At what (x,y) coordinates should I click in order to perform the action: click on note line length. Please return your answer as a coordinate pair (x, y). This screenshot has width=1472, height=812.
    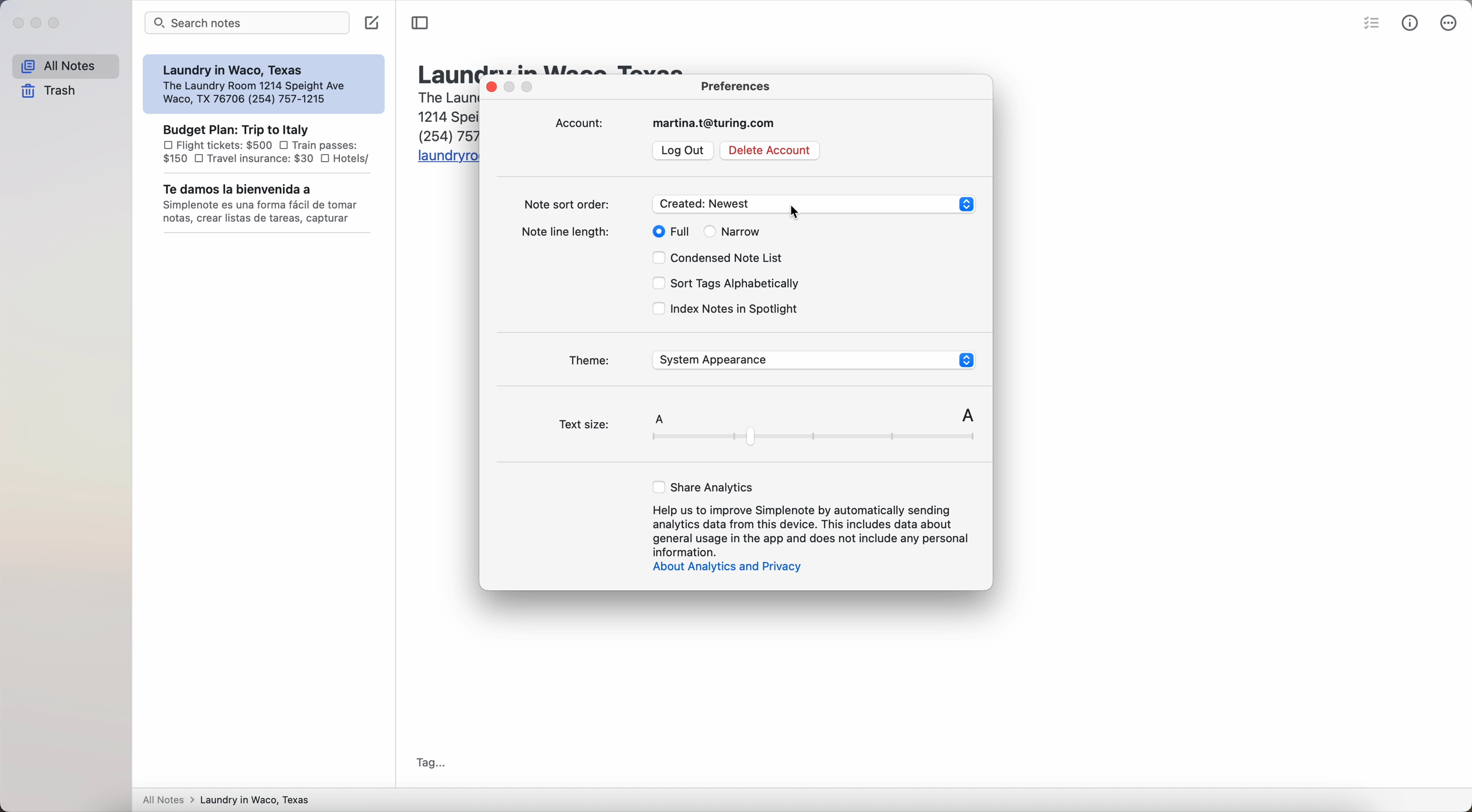
    Looking at the image, I should click on (570, 231).